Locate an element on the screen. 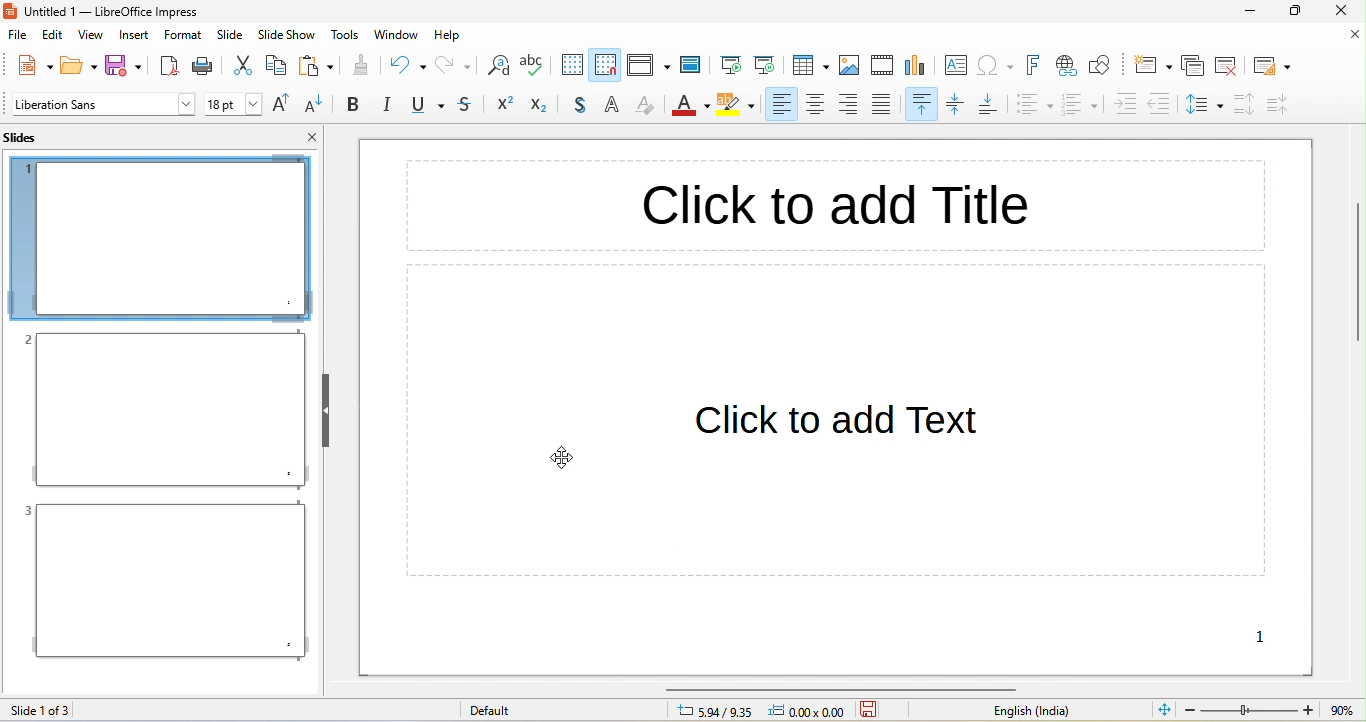 This screenshot has width=1366, height=722. chart is located at coordinates (919, 67).